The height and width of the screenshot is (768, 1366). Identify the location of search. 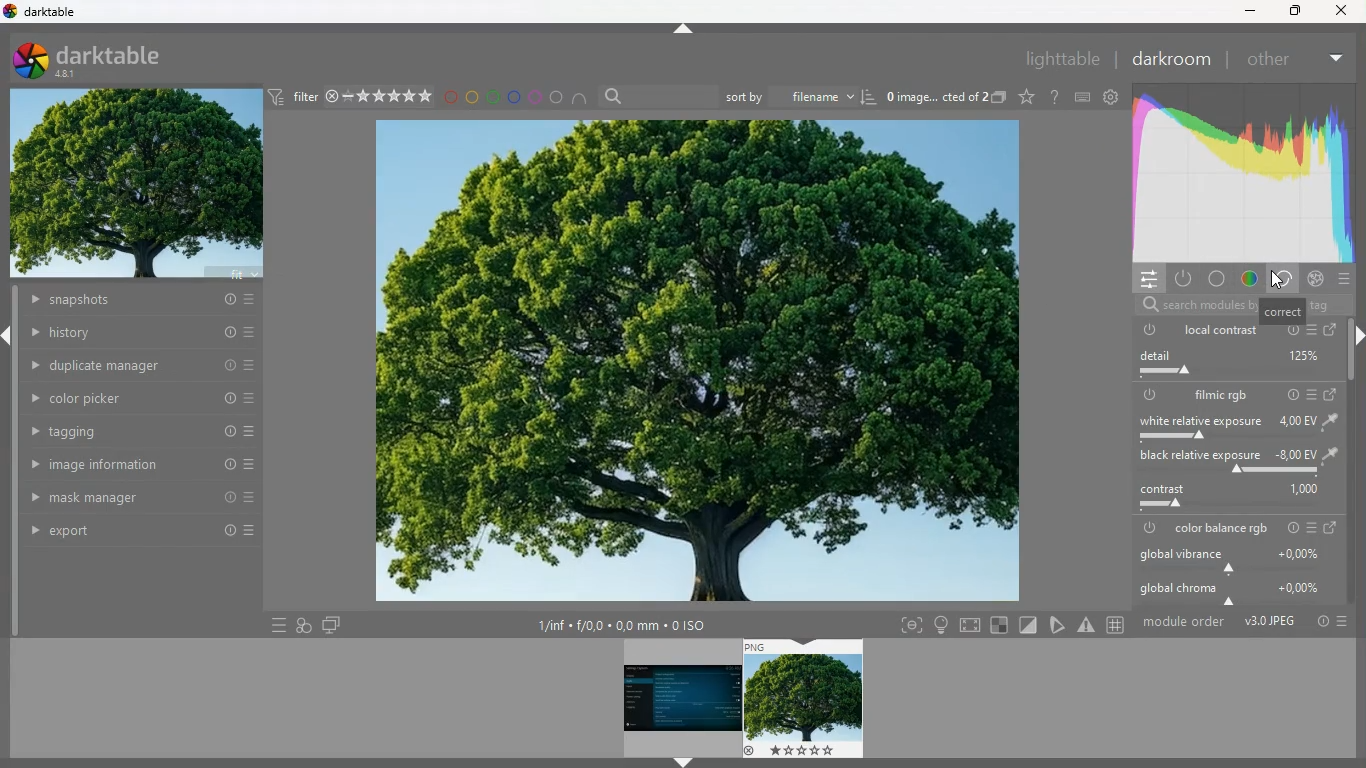
(1152, 305).